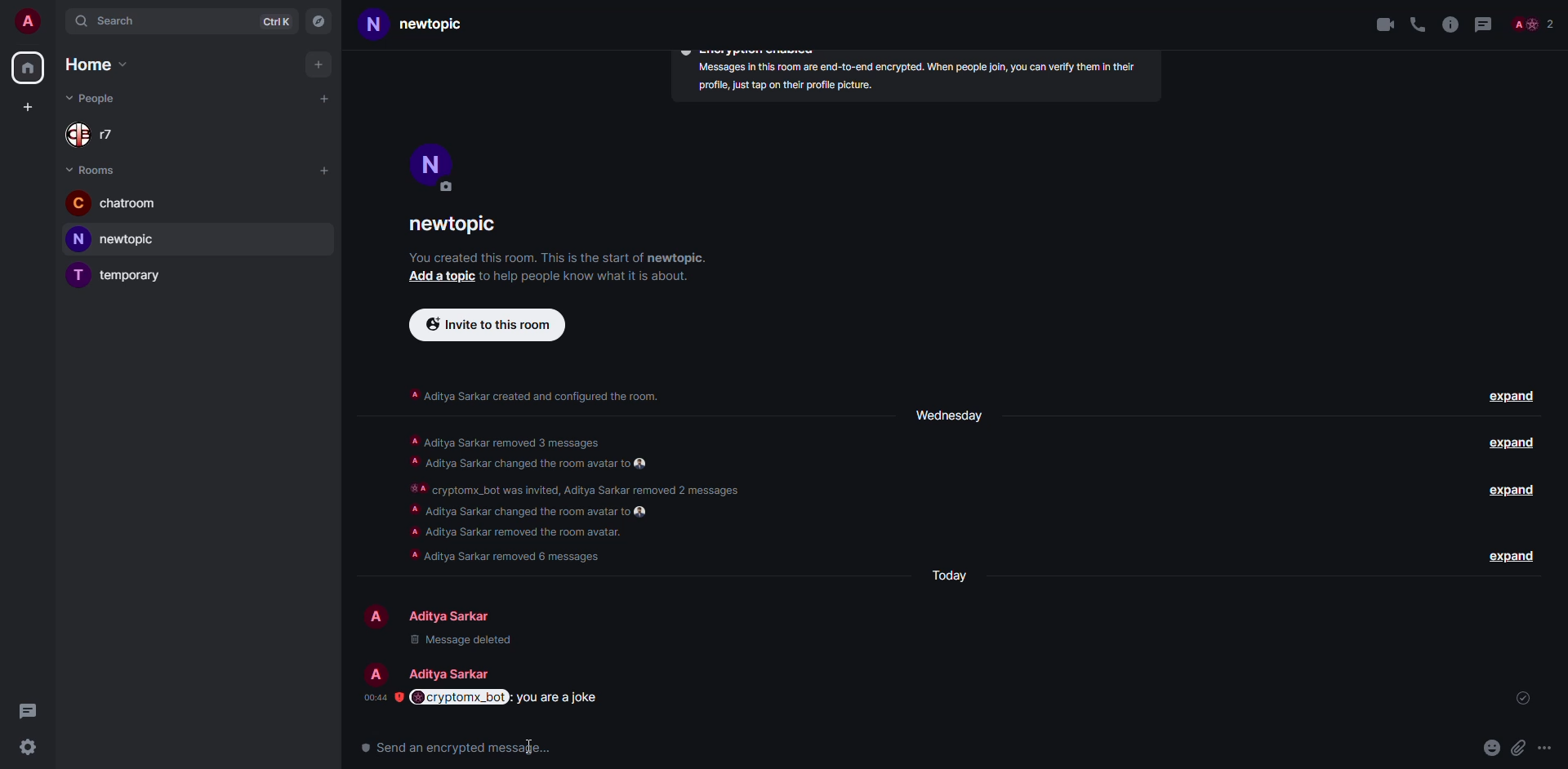  What do you see at coordinates (528, 745) in the screenshot?
I see `cursor` at bounding box center [528, 745].